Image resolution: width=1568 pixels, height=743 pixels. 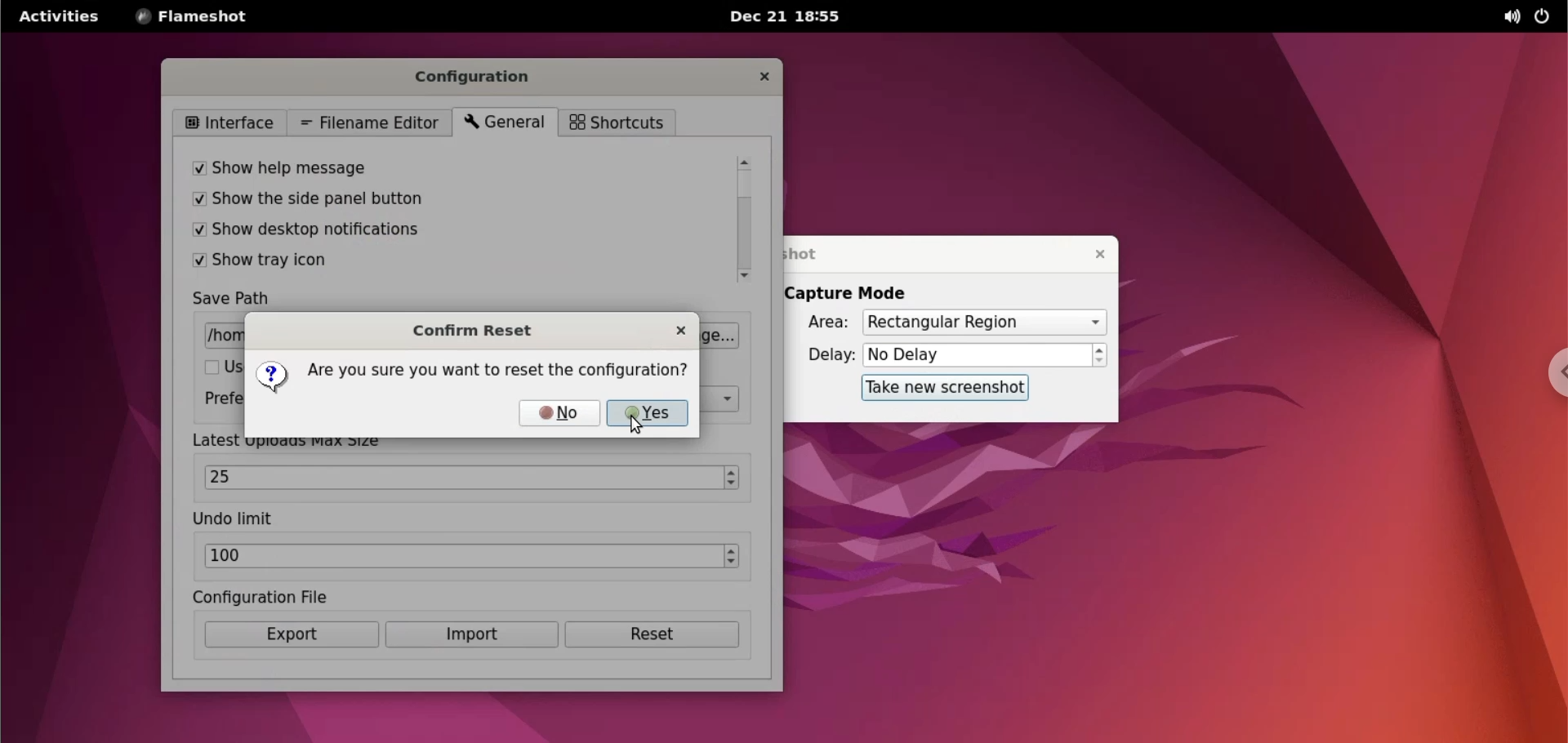 What do you see at coordinates (938, 387) in the screenshot?
I see `take new screenshot` at bounding box center [938, 387].